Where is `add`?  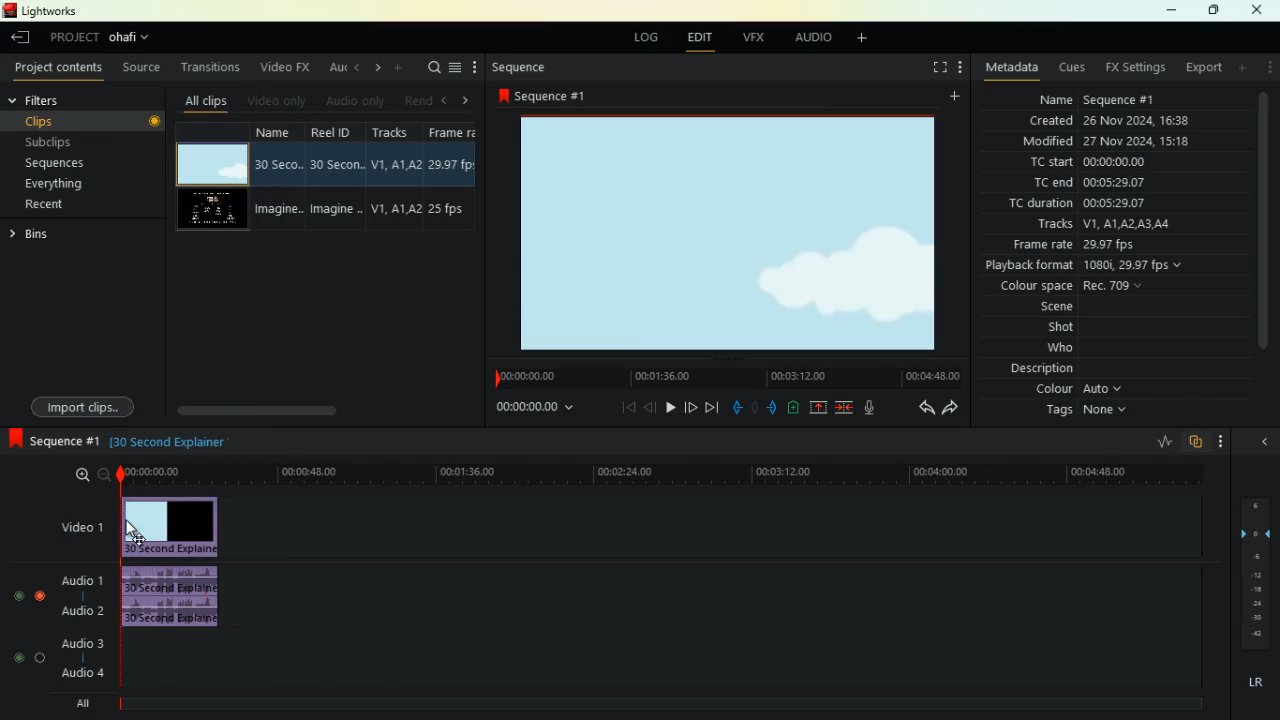
add is located at coordinates (869, 40).